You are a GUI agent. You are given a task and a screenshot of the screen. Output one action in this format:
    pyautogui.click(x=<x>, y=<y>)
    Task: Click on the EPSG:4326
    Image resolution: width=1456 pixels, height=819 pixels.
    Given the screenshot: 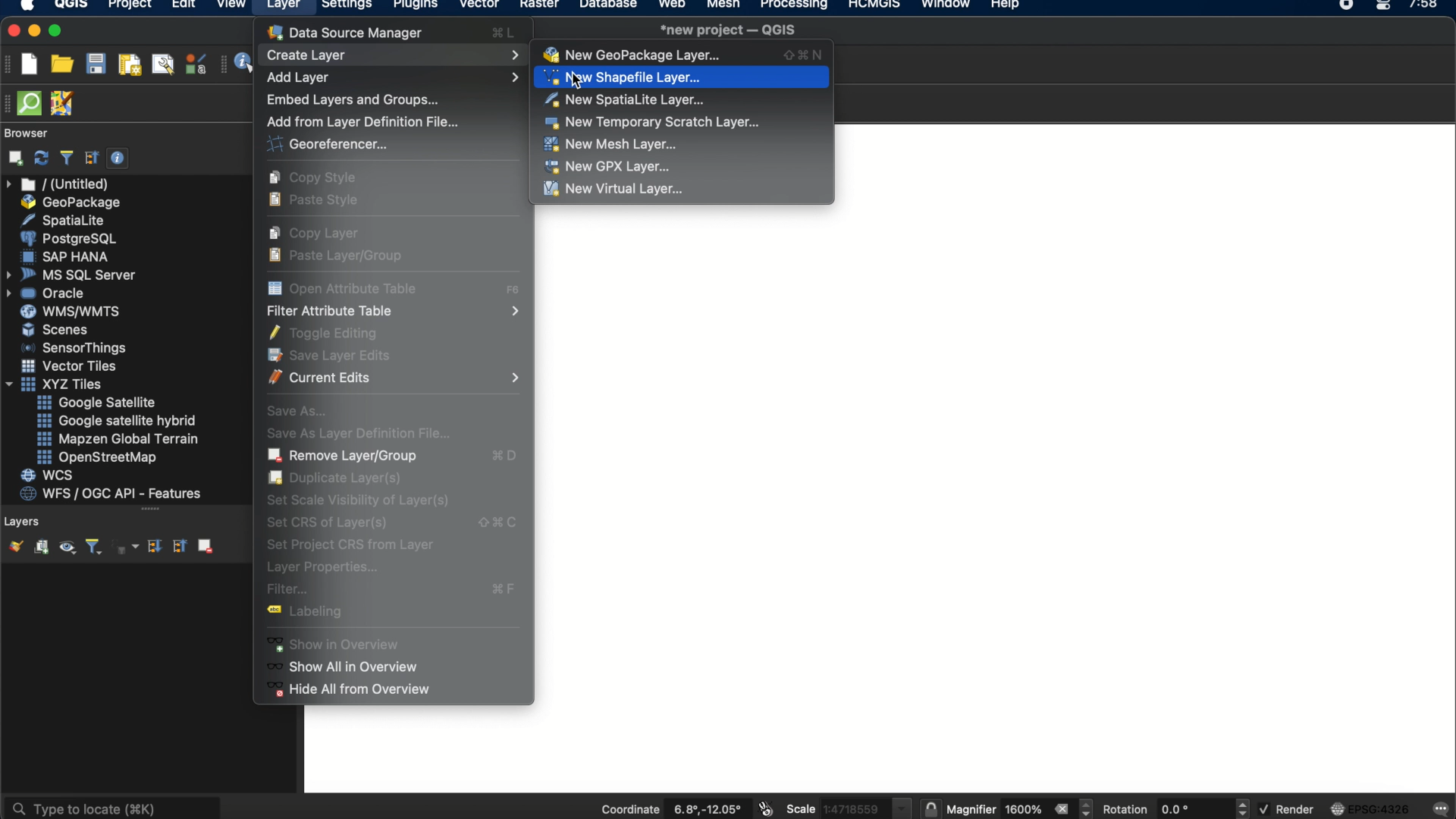 What is the action you would take?
    pyautogui.click(x=1370, y=808)
    